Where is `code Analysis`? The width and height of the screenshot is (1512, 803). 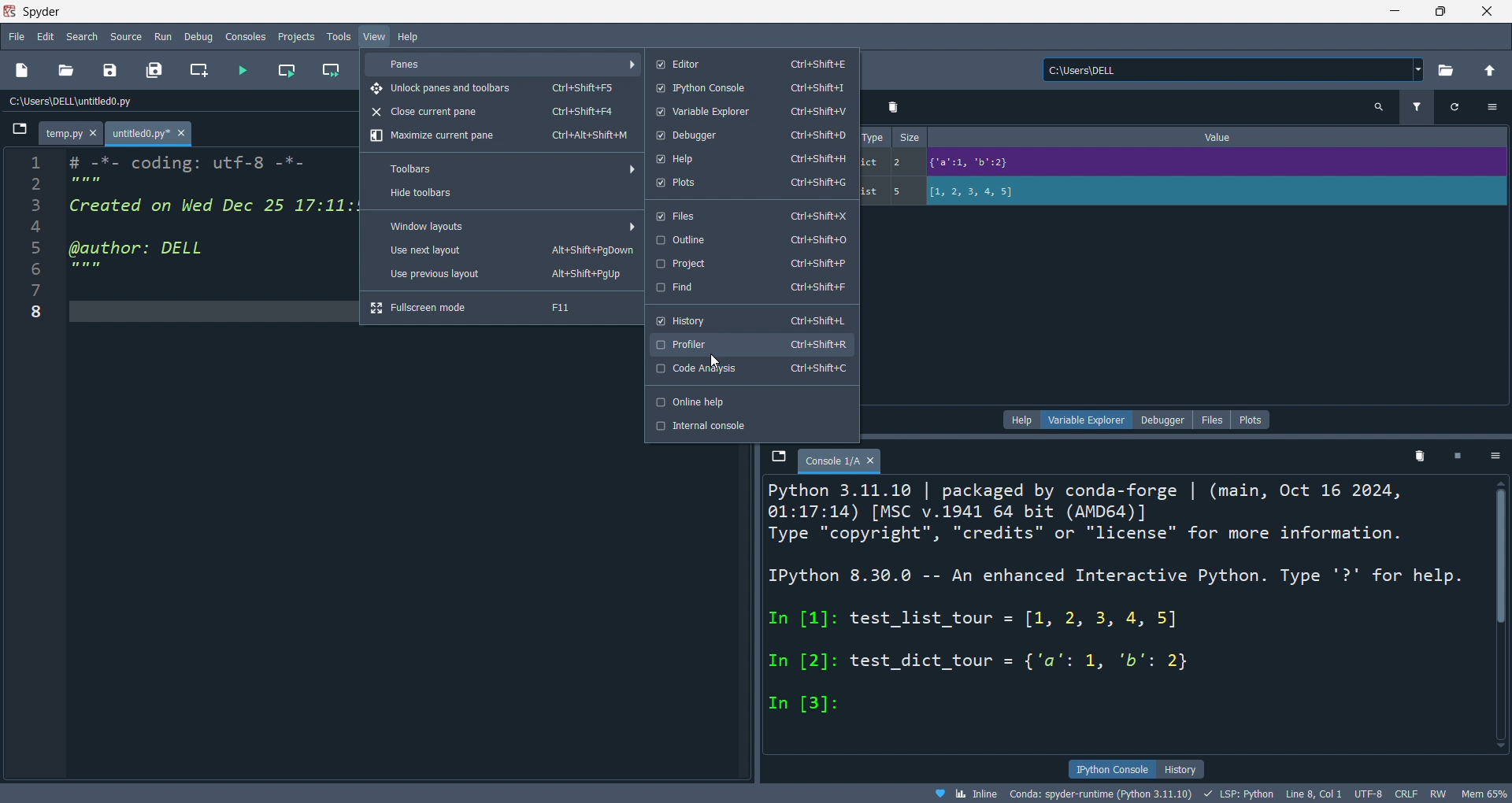 code Analysis is located at coordinates (751, 372).